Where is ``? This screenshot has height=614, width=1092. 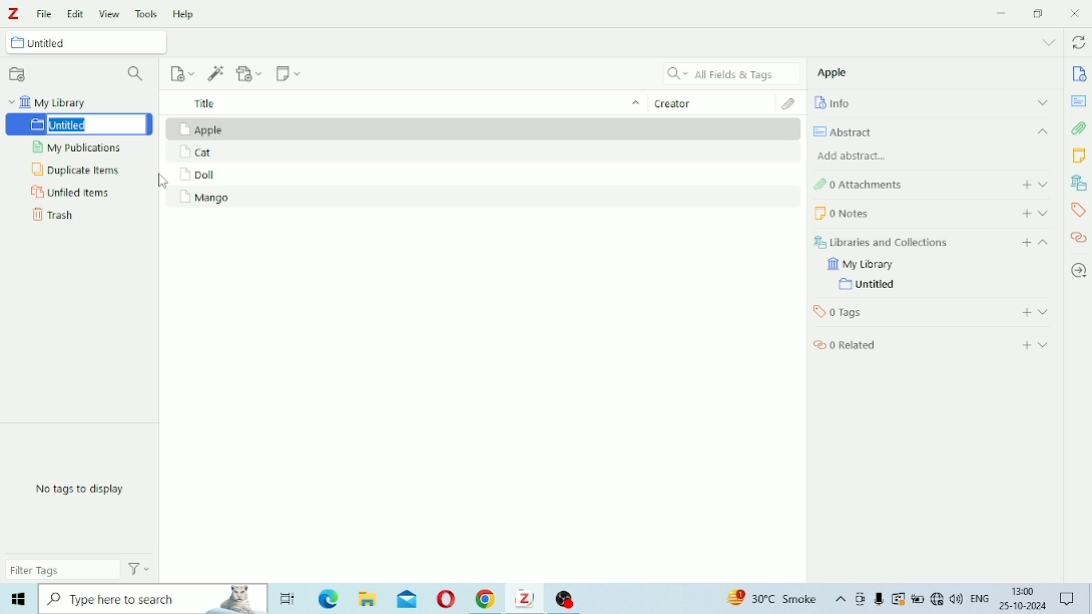  is located at coordinates (1022, 598).